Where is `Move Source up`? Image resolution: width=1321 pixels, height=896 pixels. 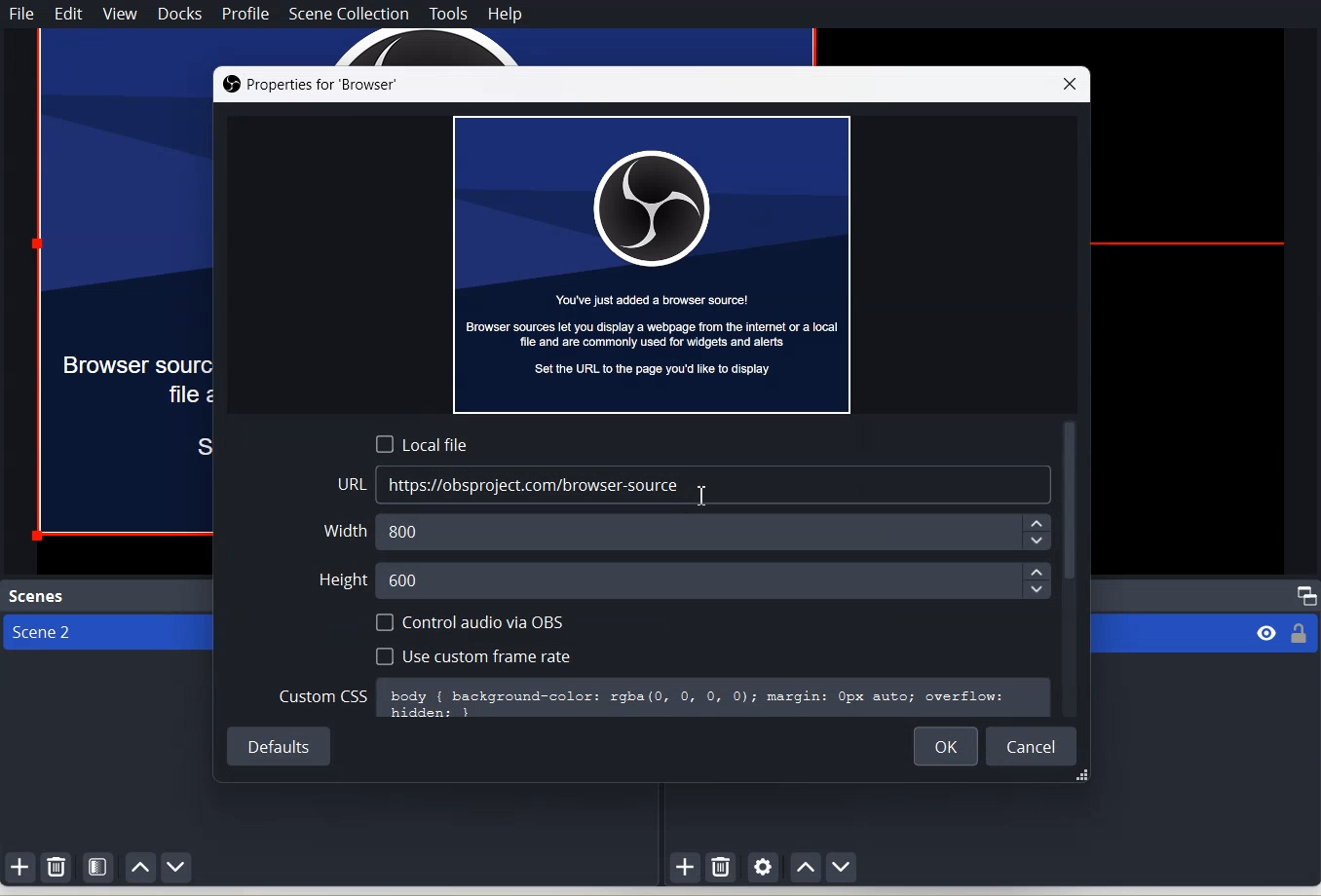 Move Source up is located at coordinates (804, 867).